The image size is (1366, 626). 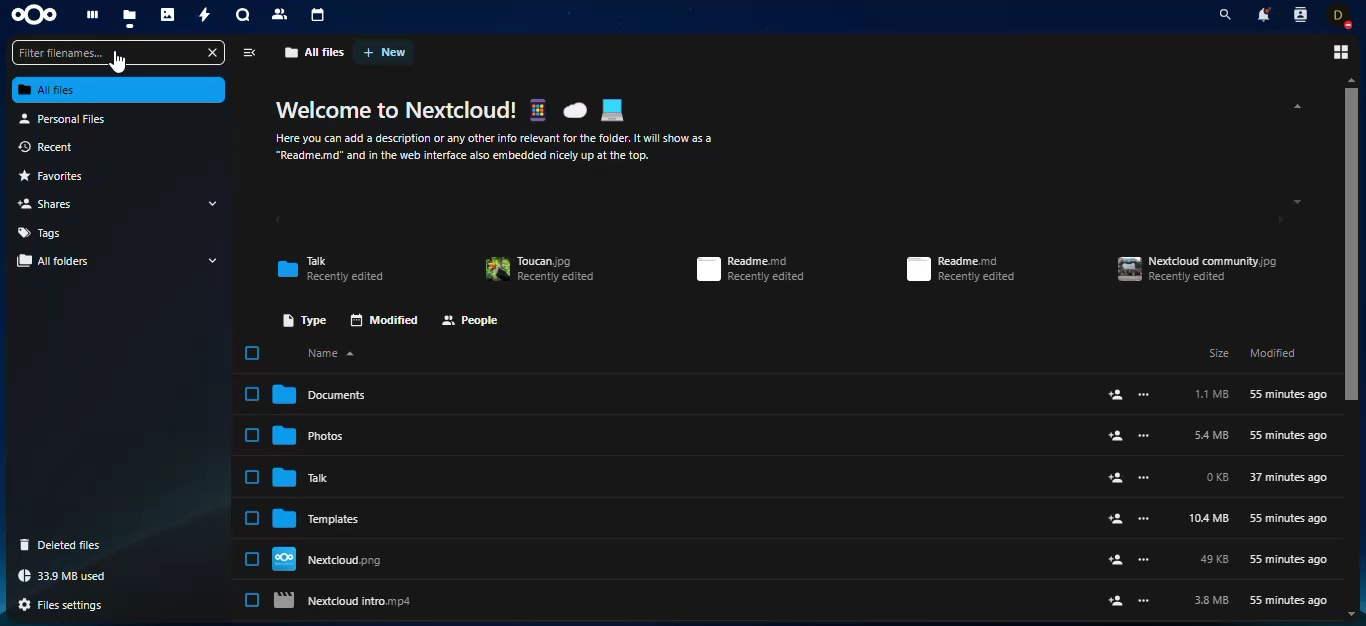 What do you see at coordinates (65, 605) in the screenshot?
I see `files settings` at bounding box center [65, 605].